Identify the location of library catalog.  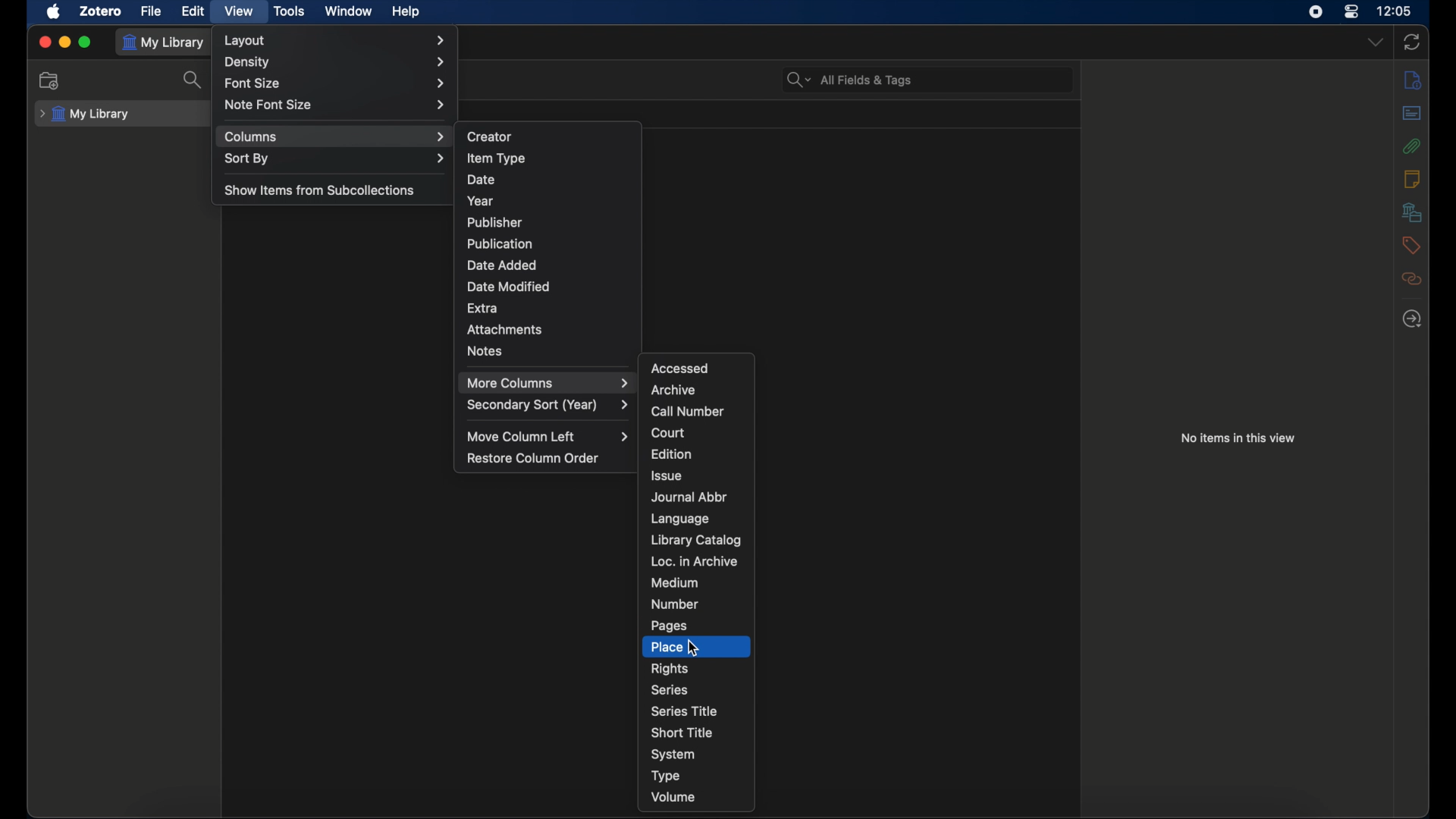
(695, 539).